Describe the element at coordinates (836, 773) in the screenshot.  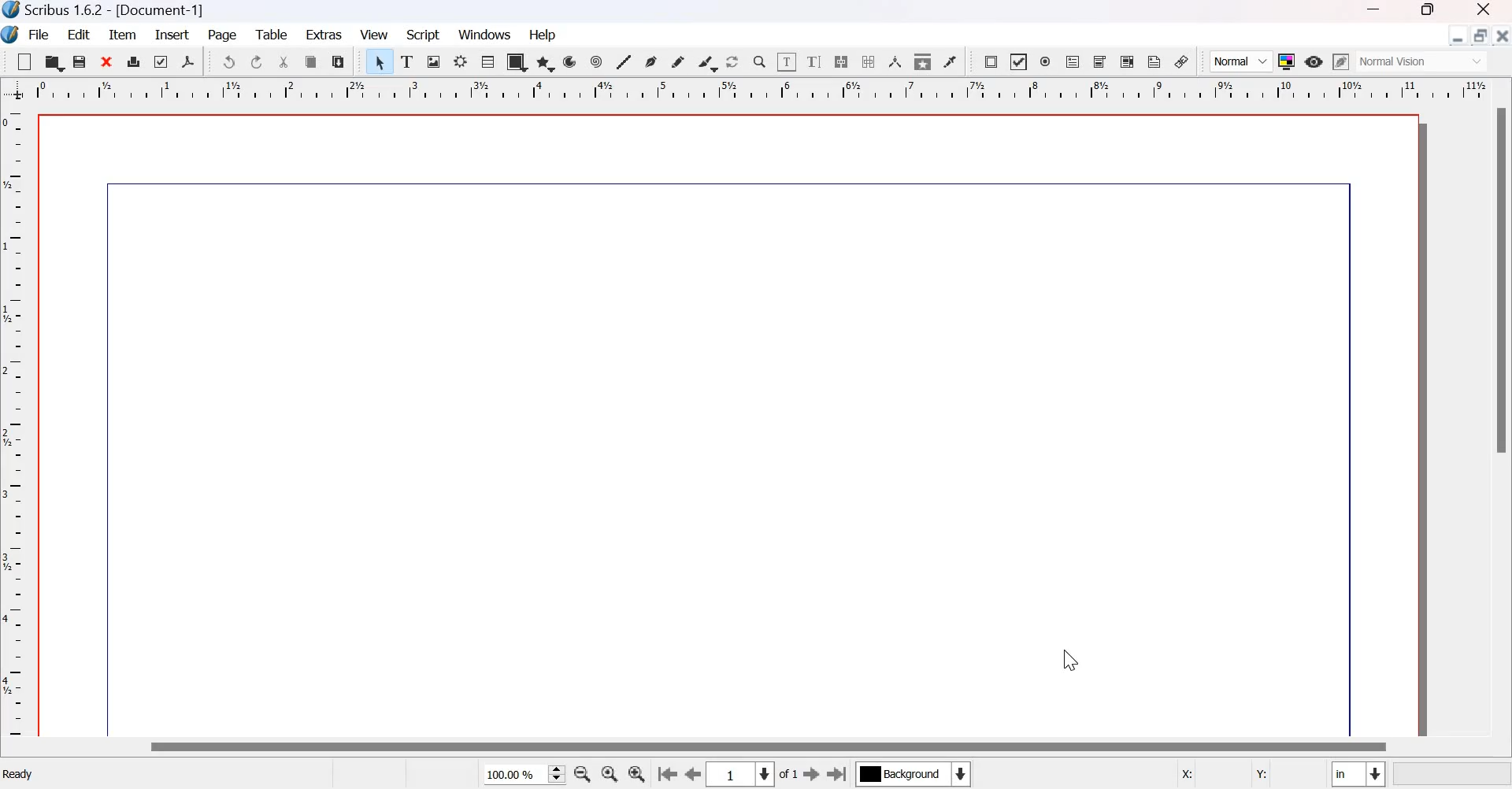
I see `Go to the last page` at that location.